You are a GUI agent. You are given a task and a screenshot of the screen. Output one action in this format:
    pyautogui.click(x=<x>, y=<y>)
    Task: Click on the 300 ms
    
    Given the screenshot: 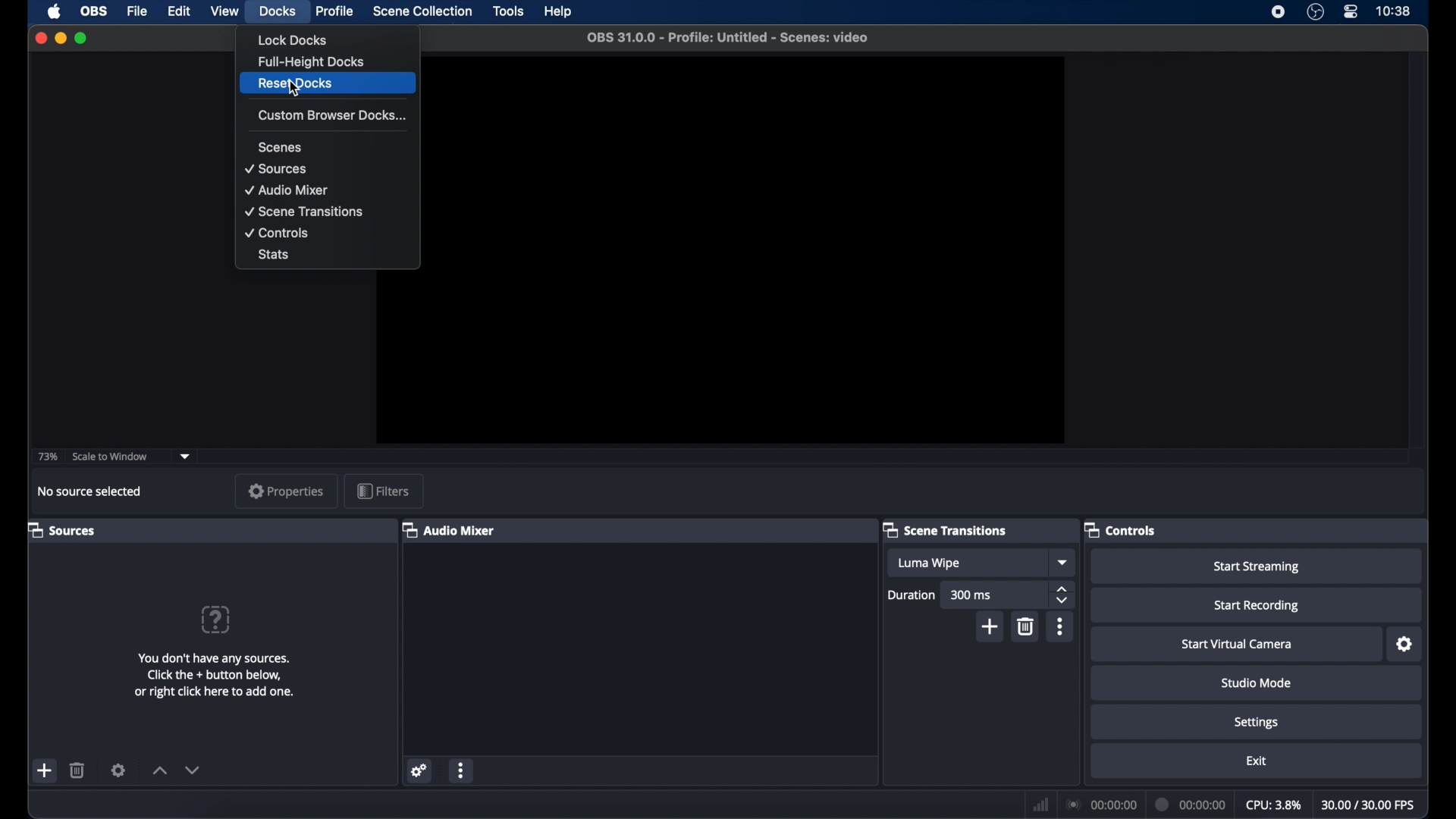 What is the action you would take?
    pyautogui.click(x=972, y=595)
    